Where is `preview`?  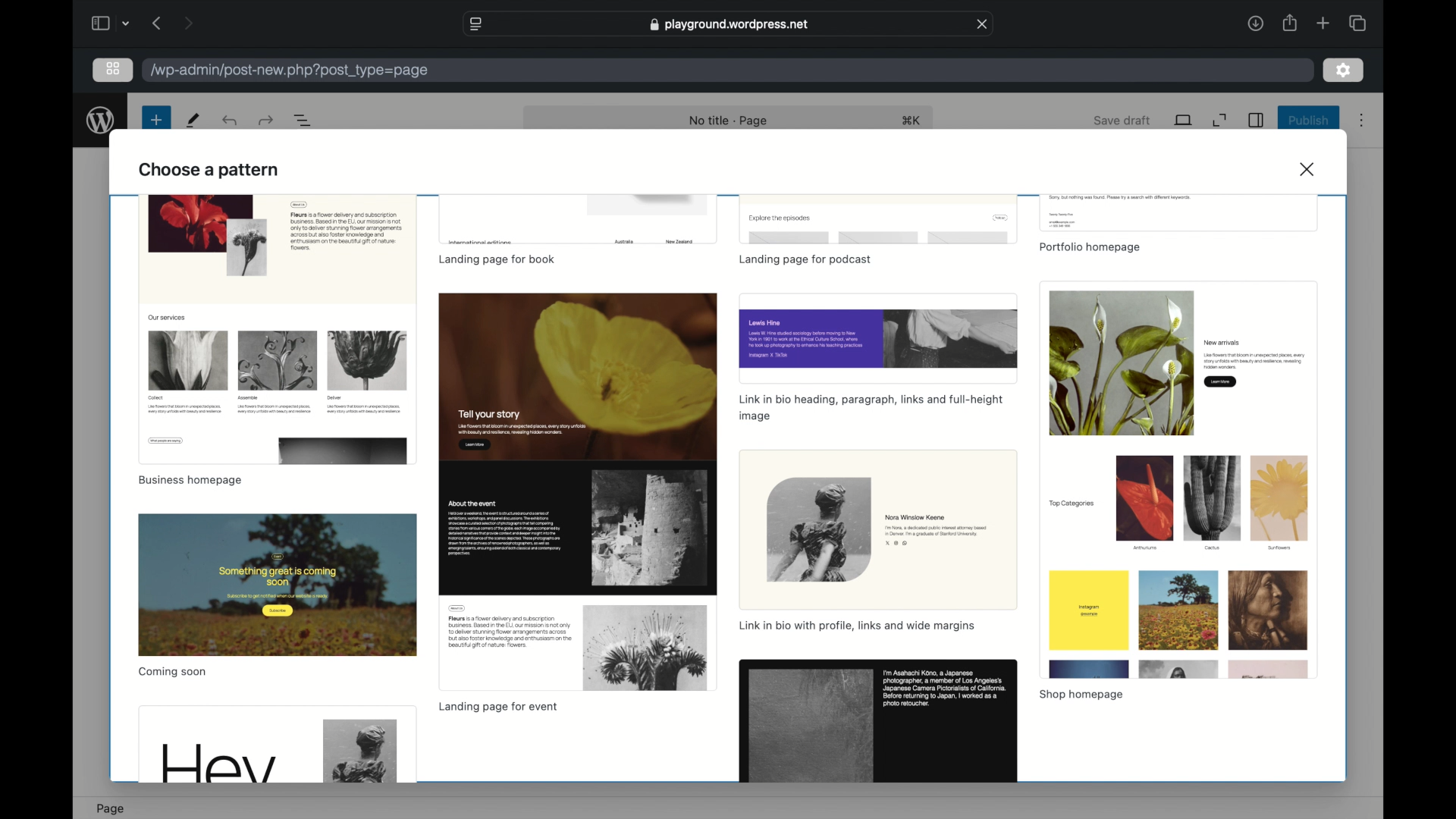
preview is located at coordinates (277, 744).